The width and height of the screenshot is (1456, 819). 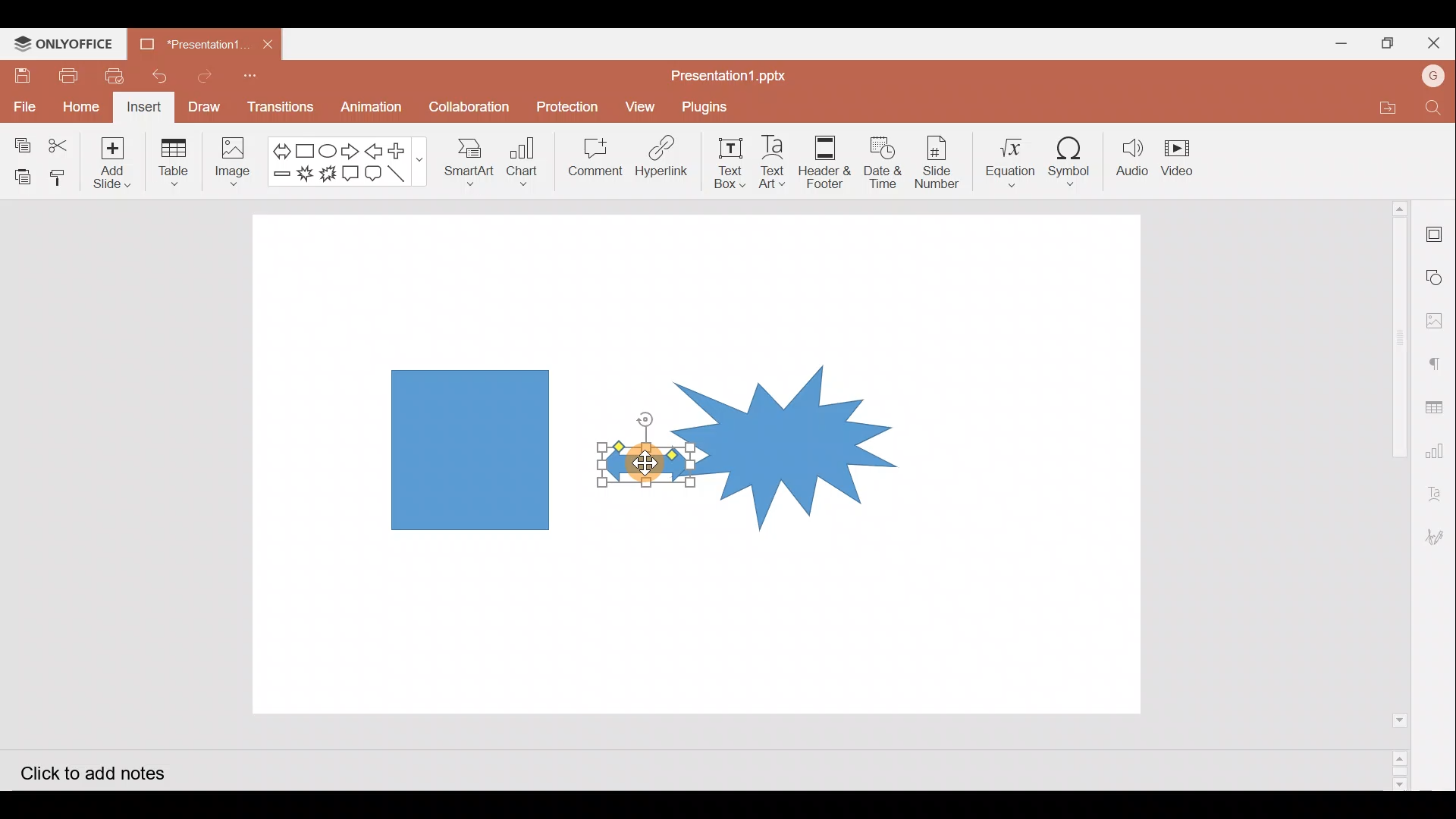 What do you see at coordinates (1187, 159) in the screenshot?
I see `Video` at bounding box center [1187, 159].